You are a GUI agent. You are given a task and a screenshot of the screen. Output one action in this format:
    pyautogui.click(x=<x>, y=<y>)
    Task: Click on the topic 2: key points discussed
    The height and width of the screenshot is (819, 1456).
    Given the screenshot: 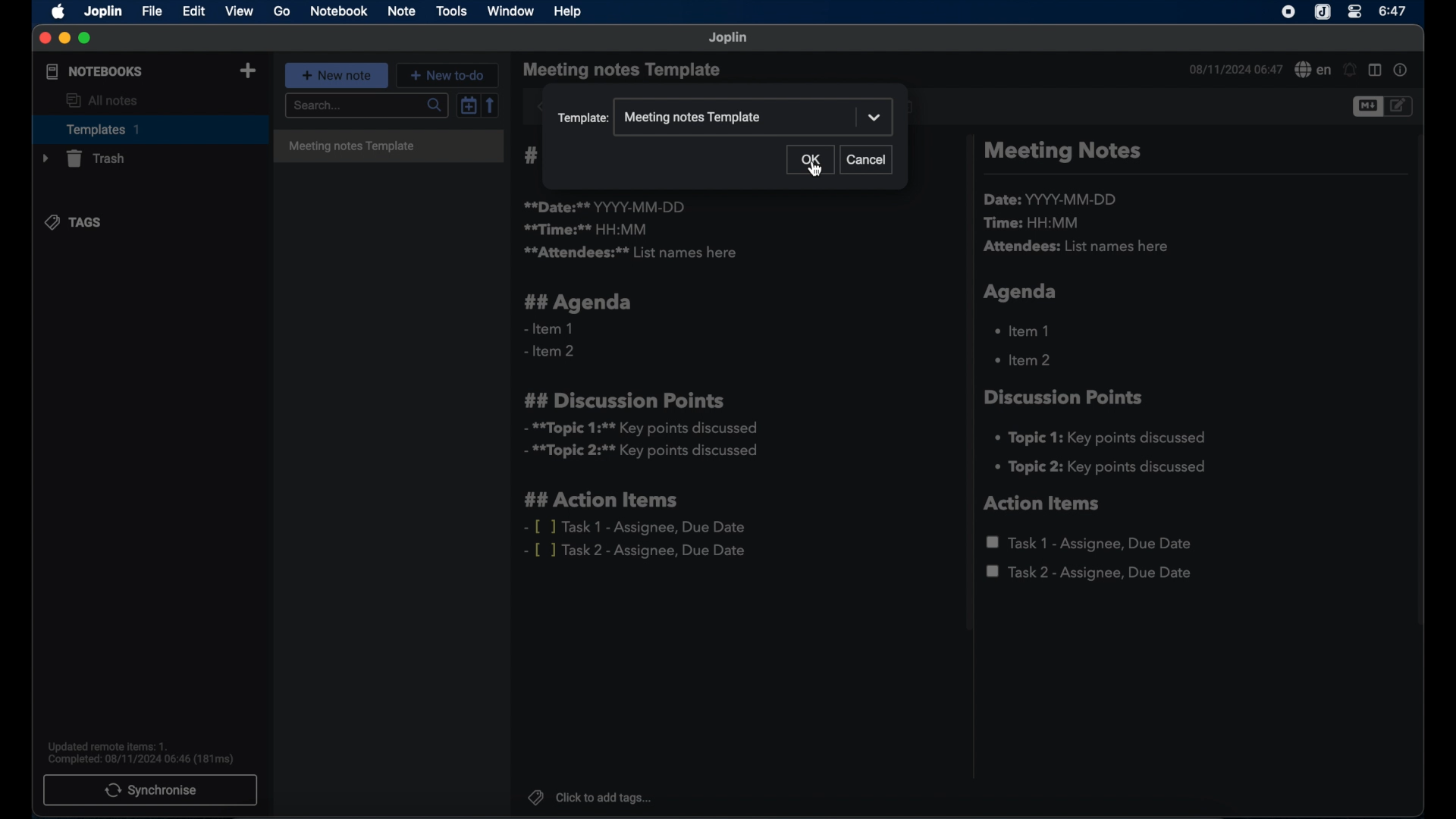 What is the action you would take?
    pyautogui.click(x=1102, y=467)
    